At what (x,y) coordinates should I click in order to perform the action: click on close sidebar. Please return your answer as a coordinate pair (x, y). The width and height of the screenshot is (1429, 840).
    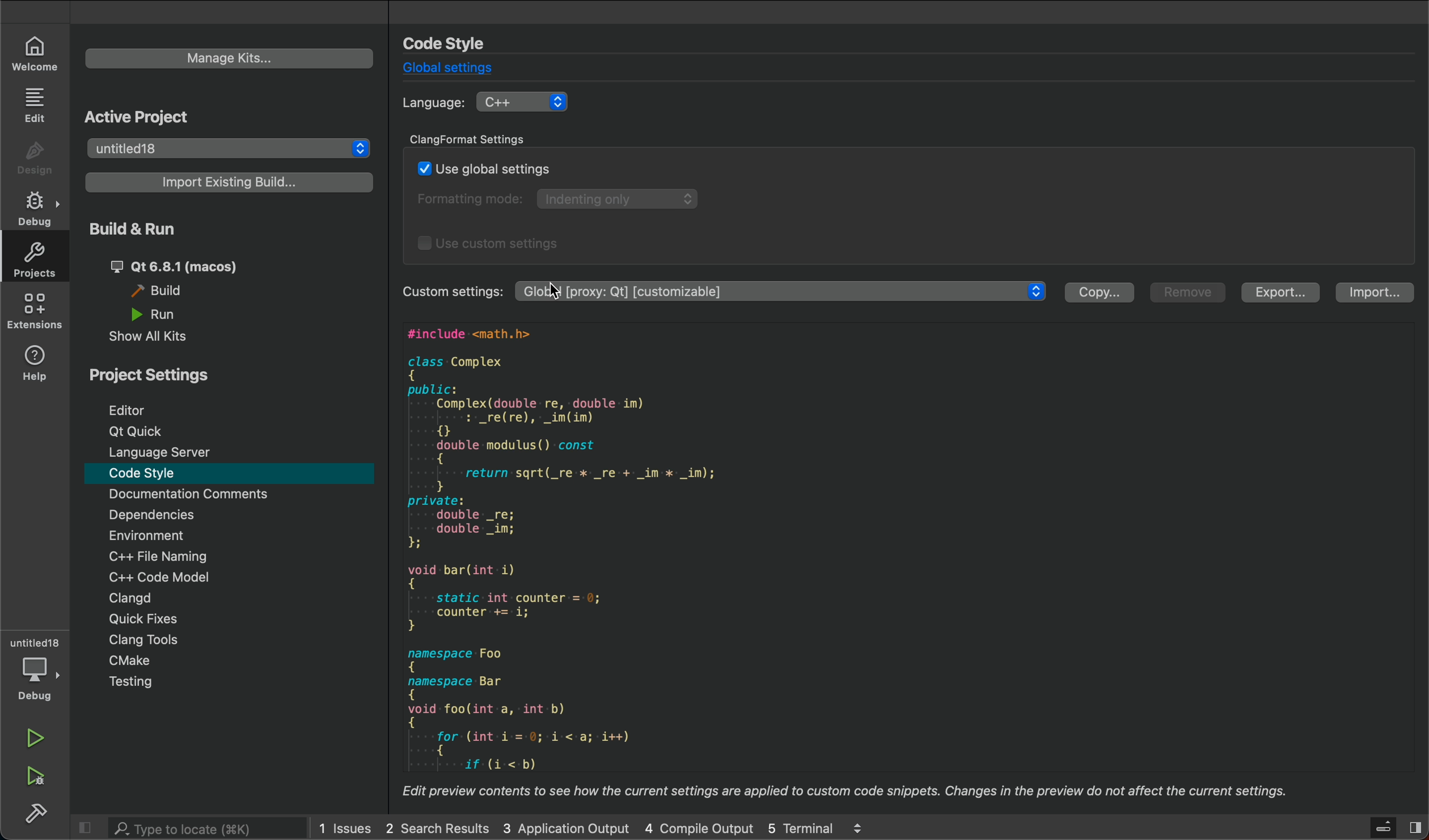
    Looking at the image, I should click on (88, 826).